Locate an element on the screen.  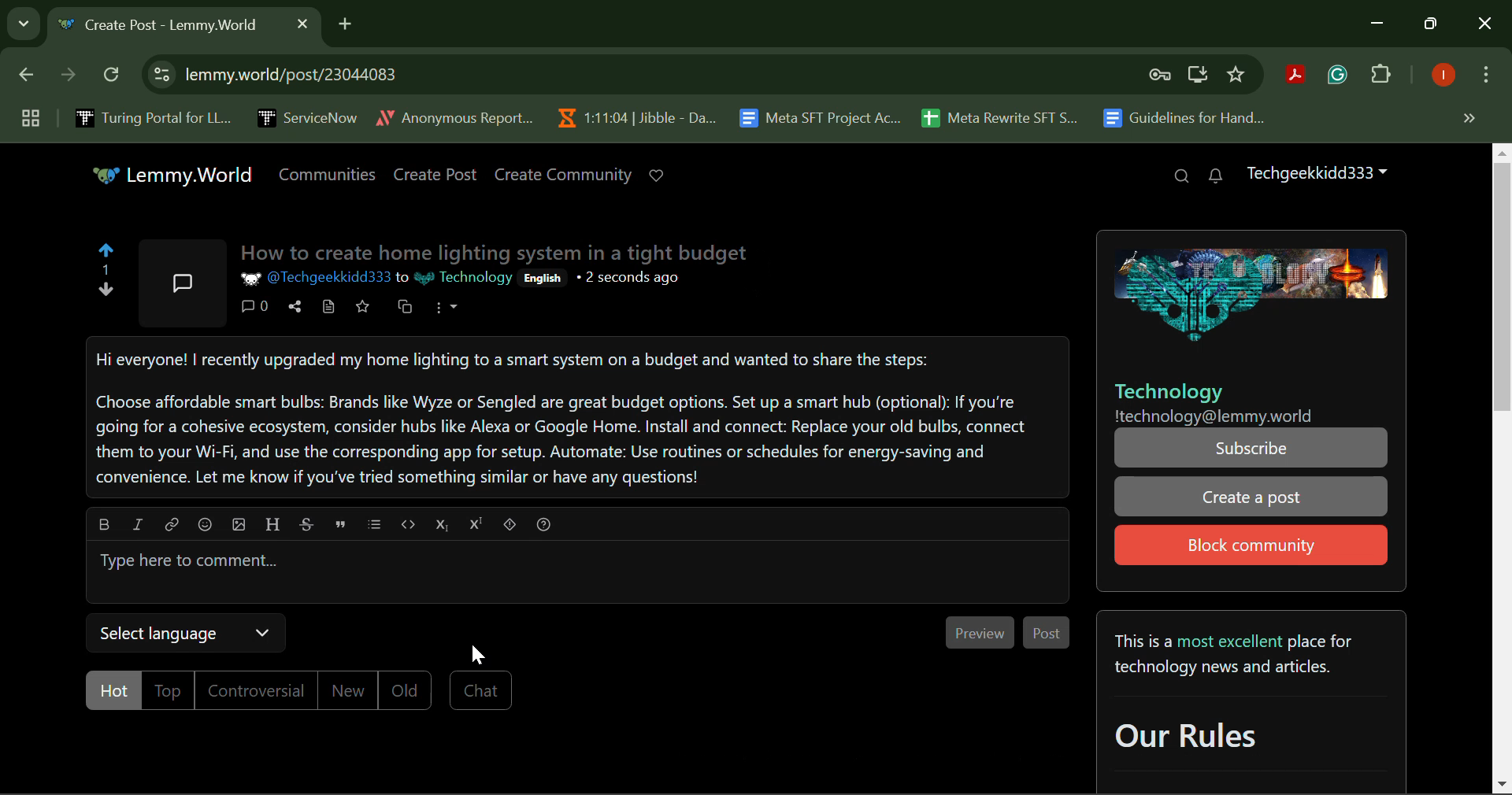
Jibble is located at coordinates (633, 114).